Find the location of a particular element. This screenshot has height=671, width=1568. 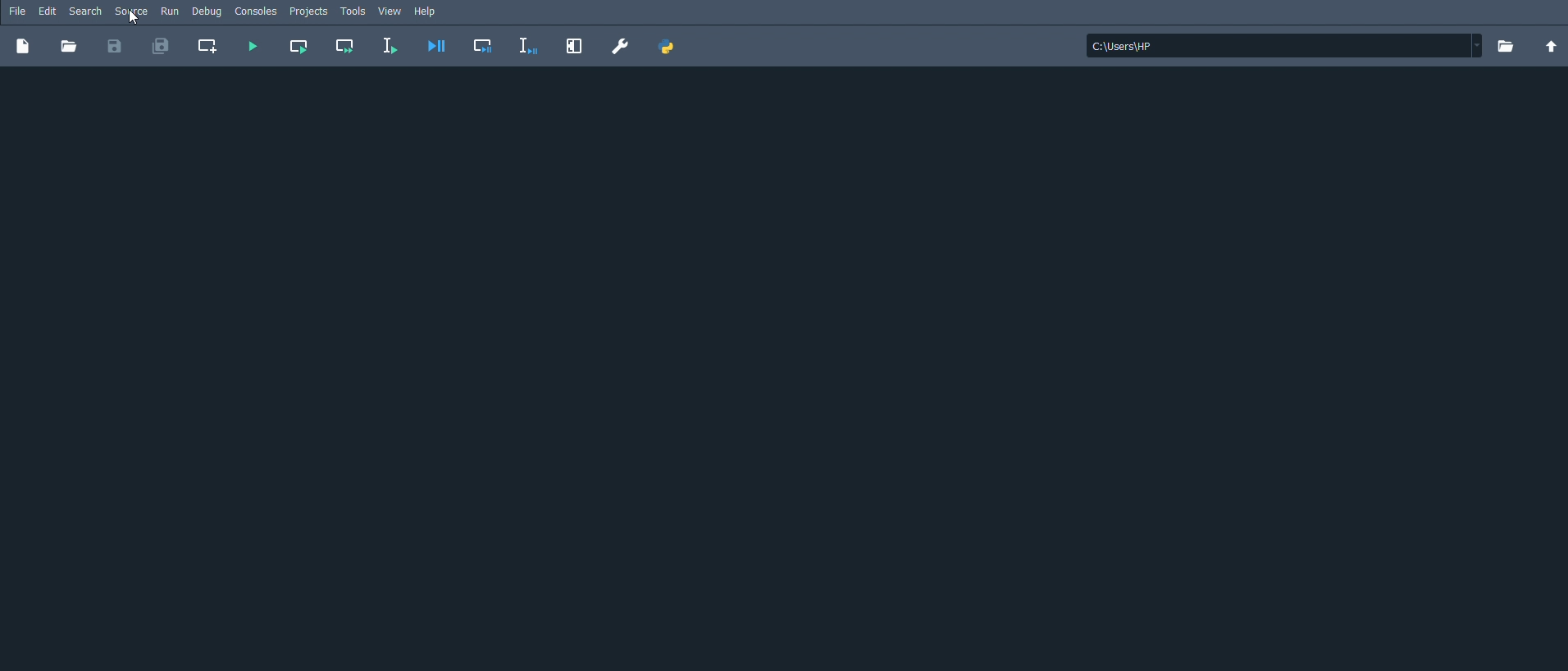

Maximize current pane is located at coordinates (580, 46).